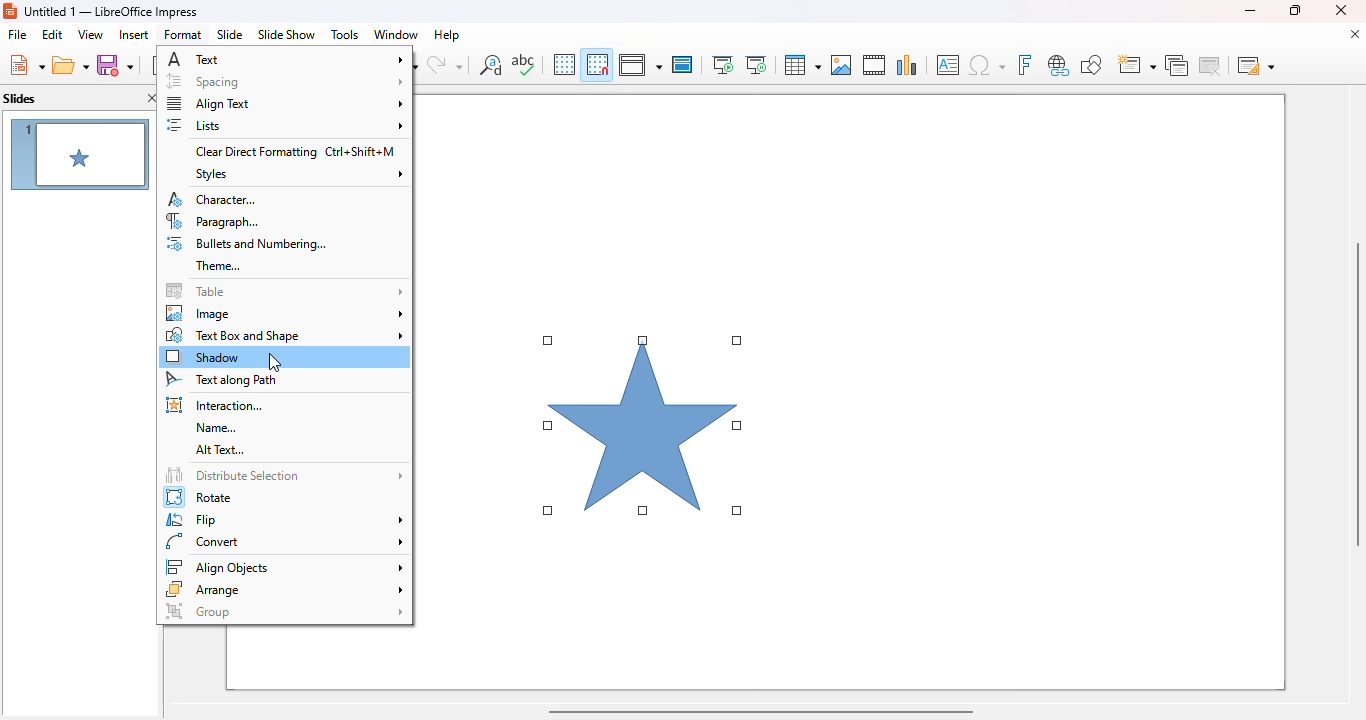 This screenshot has height=720, width=1366. Describe the element at coordinates (286, 35) in the screenshot. I see `slide show` at that location.